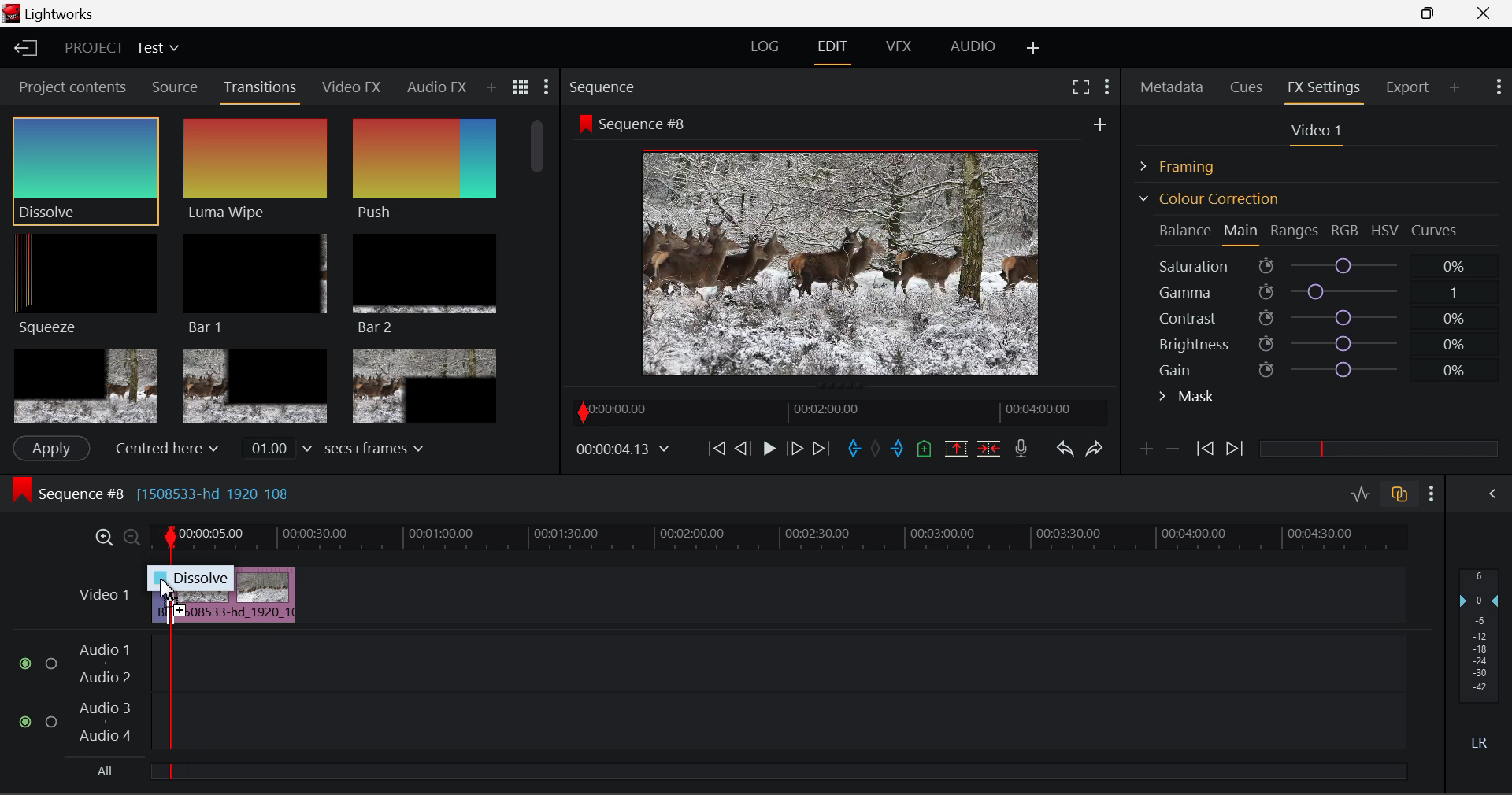  What do you see at coordinates (764, 46) in the screenshot?
I see `LOG Layout` at bounding box center [764, 46].